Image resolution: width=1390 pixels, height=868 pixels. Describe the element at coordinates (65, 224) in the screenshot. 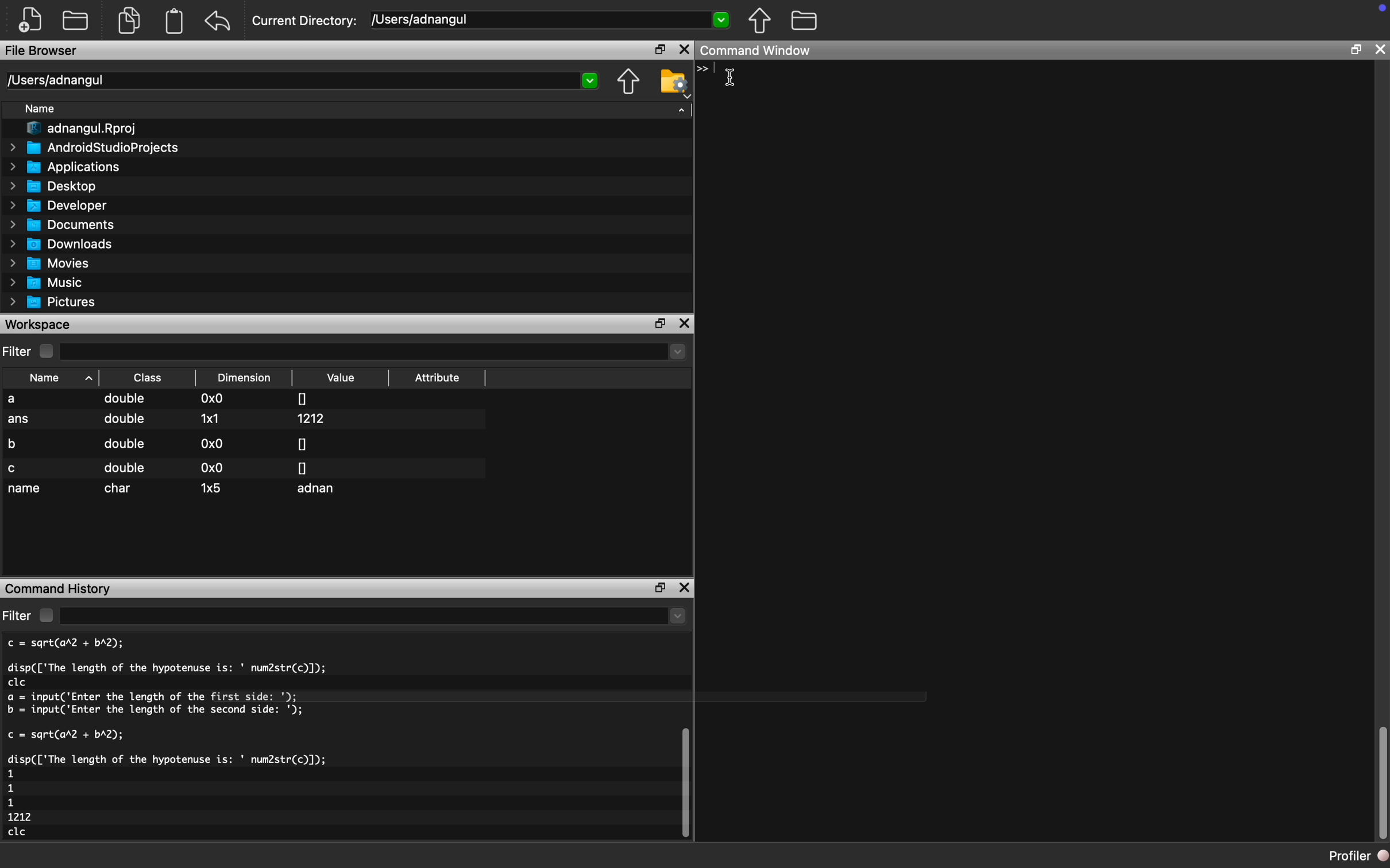

I see `Documents` at that location.